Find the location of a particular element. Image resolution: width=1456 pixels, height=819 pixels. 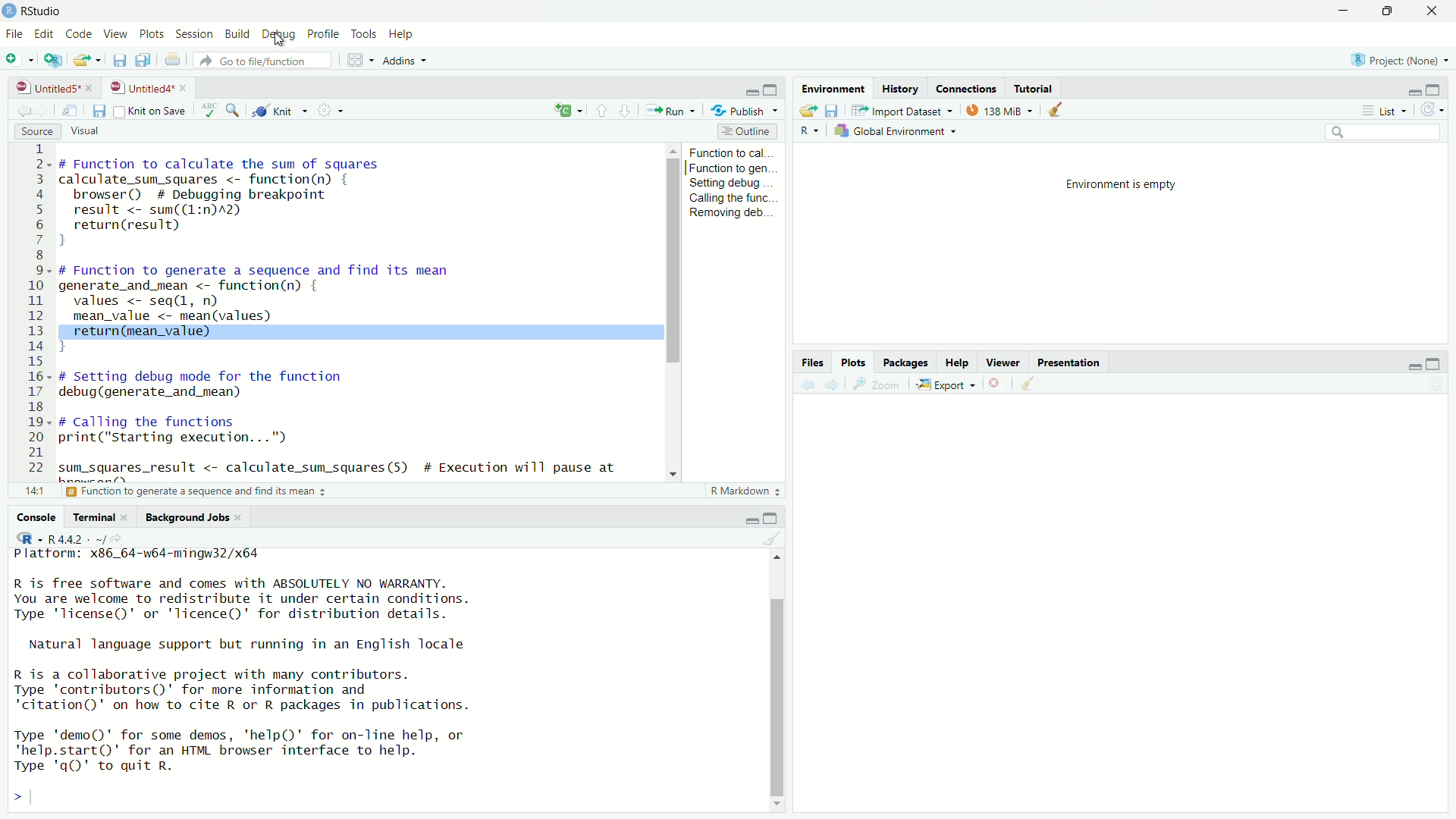

R 4.4.2 . ~/ is located at coordinates (77, 538).